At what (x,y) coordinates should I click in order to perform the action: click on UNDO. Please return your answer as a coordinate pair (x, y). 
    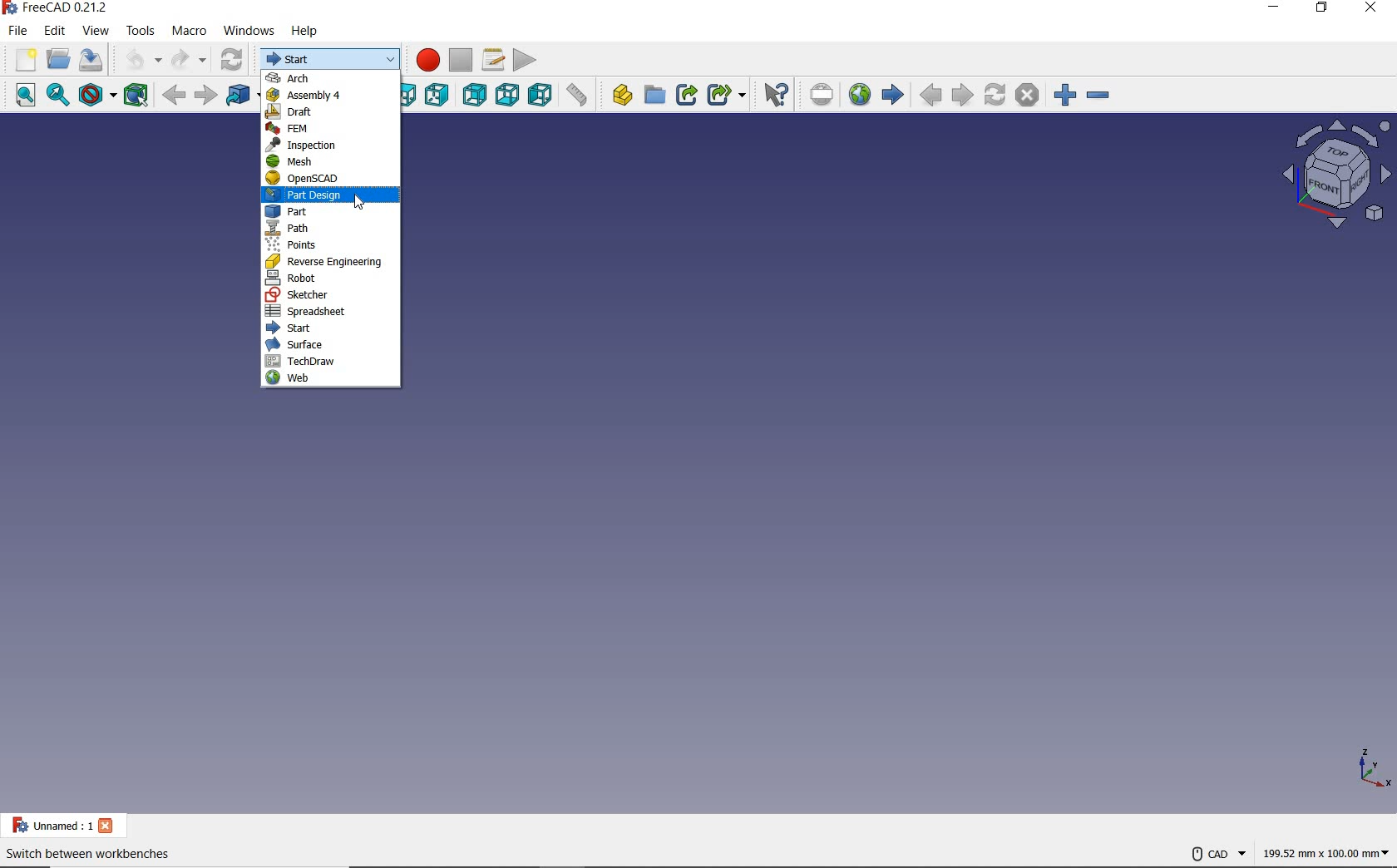
    Looking at the image, I should click on (142, 60).